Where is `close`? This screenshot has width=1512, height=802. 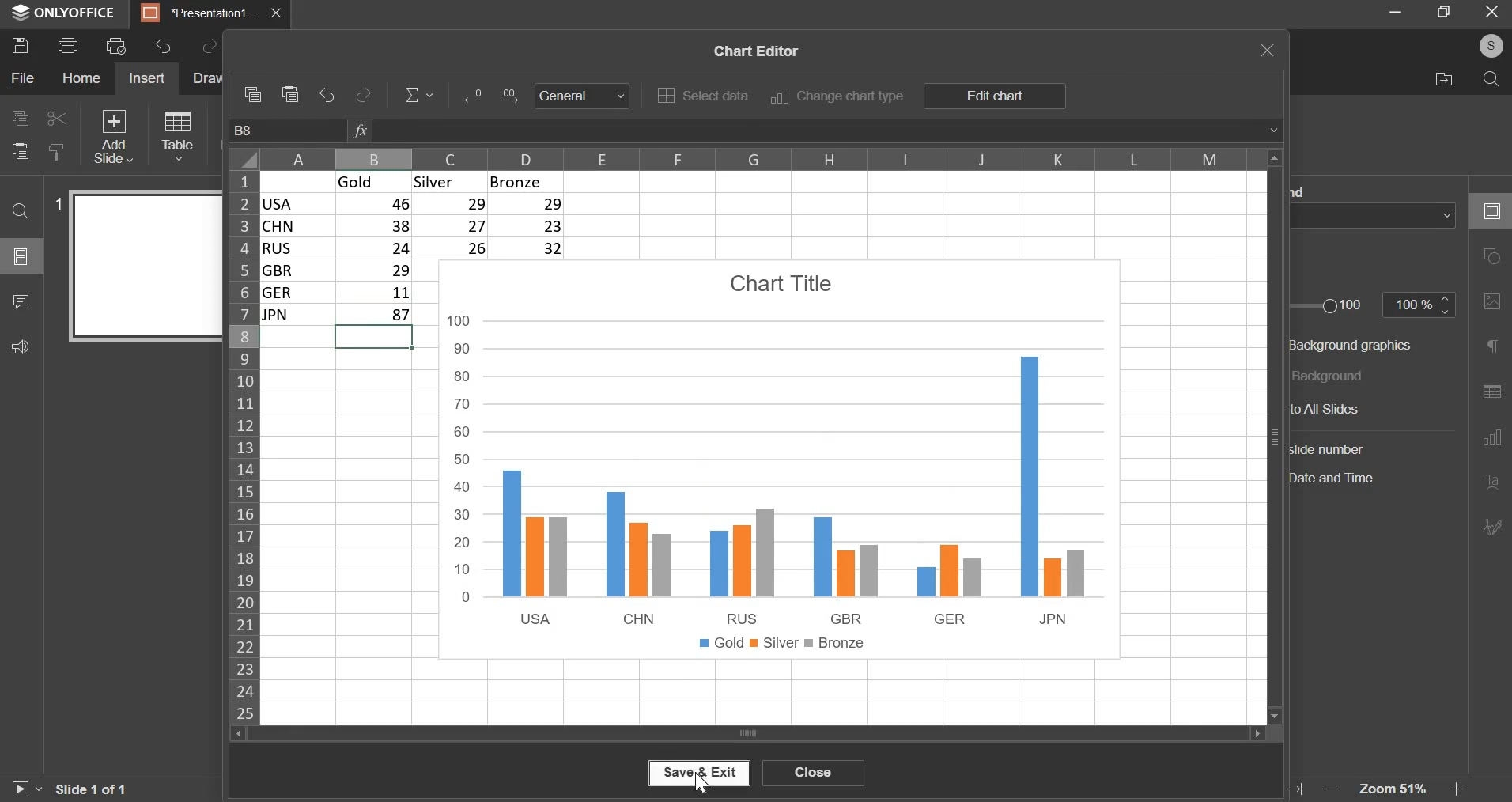 close is located at coordinates (278, 13).